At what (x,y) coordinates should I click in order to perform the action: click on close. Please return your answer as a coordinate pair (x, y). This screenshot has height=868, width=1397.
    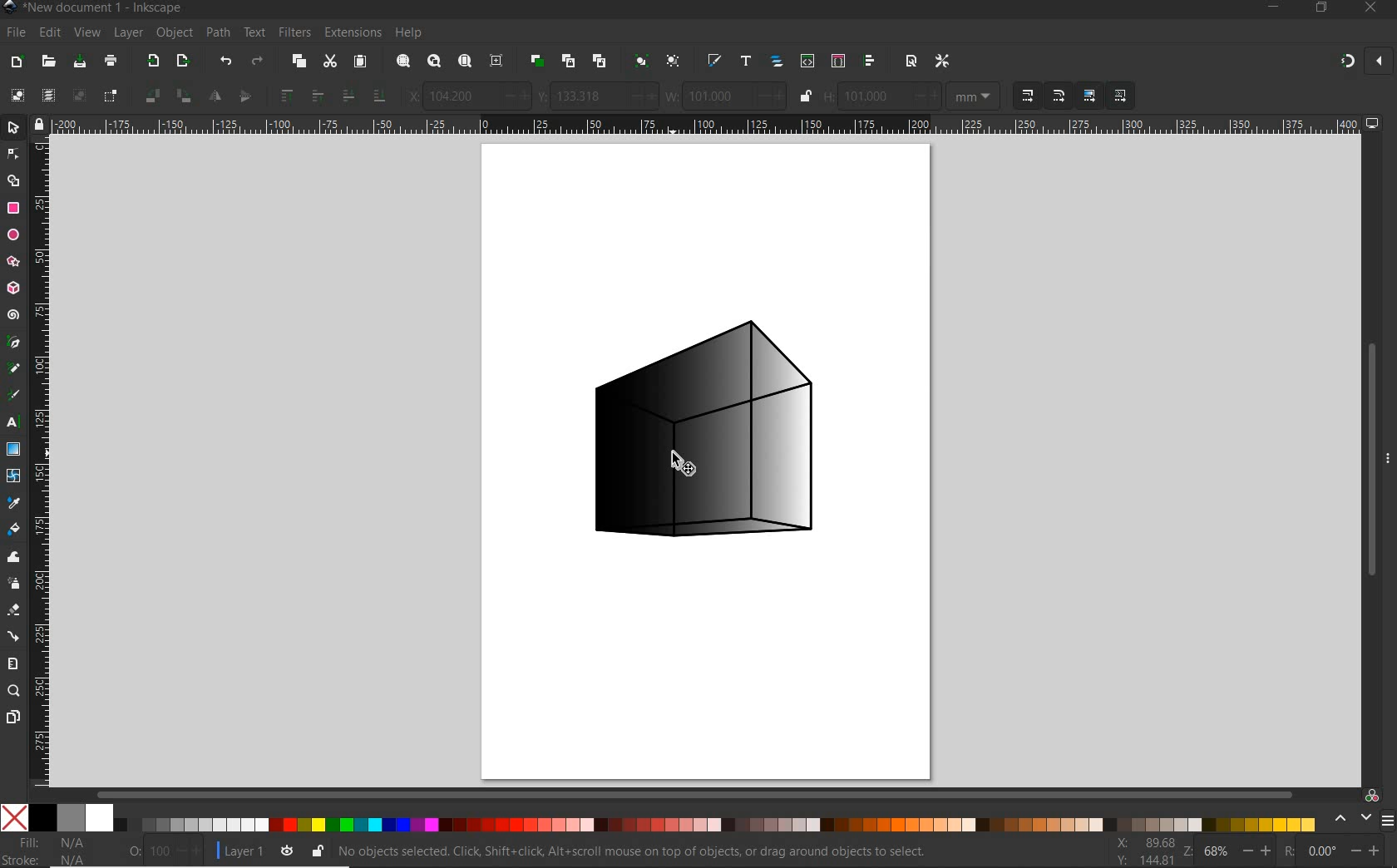
    Looking at the image, I should click on (1381, 62).